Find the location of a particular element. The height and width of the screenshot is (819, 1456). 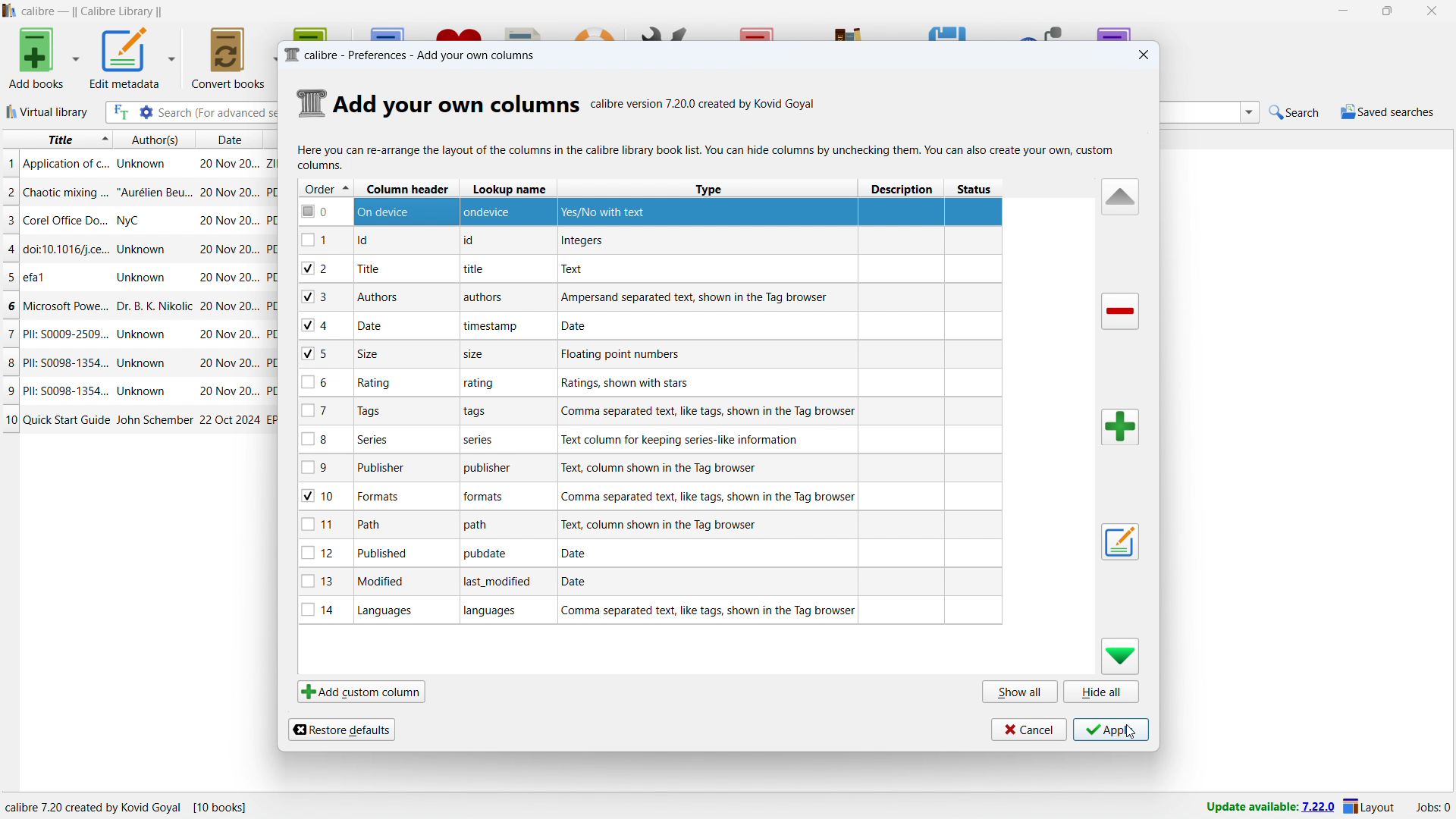

series. is located at coordinates (480, 442).